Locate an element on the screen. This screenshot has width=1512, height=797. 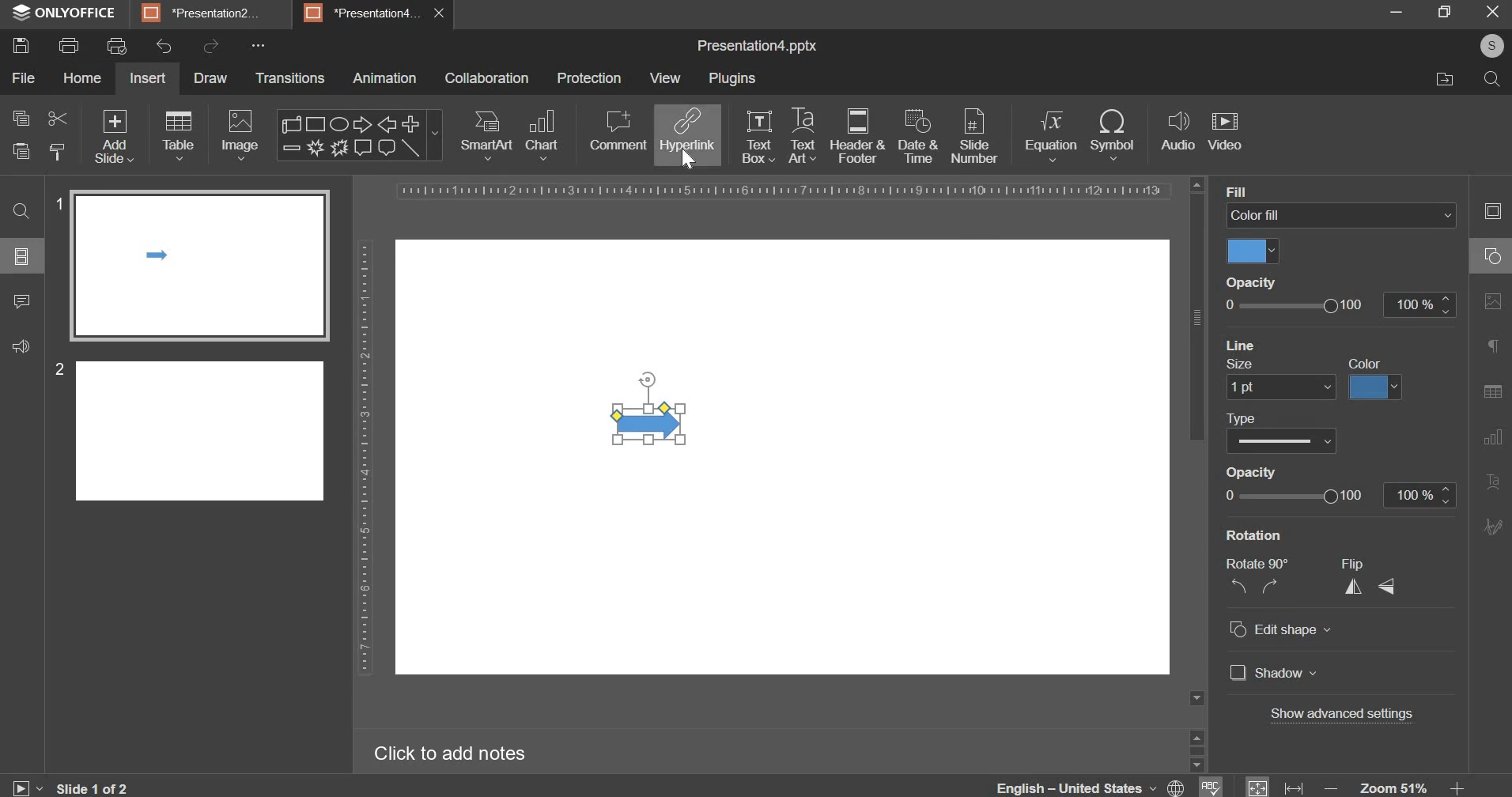
reset background is located at coordinates (1259, 365).